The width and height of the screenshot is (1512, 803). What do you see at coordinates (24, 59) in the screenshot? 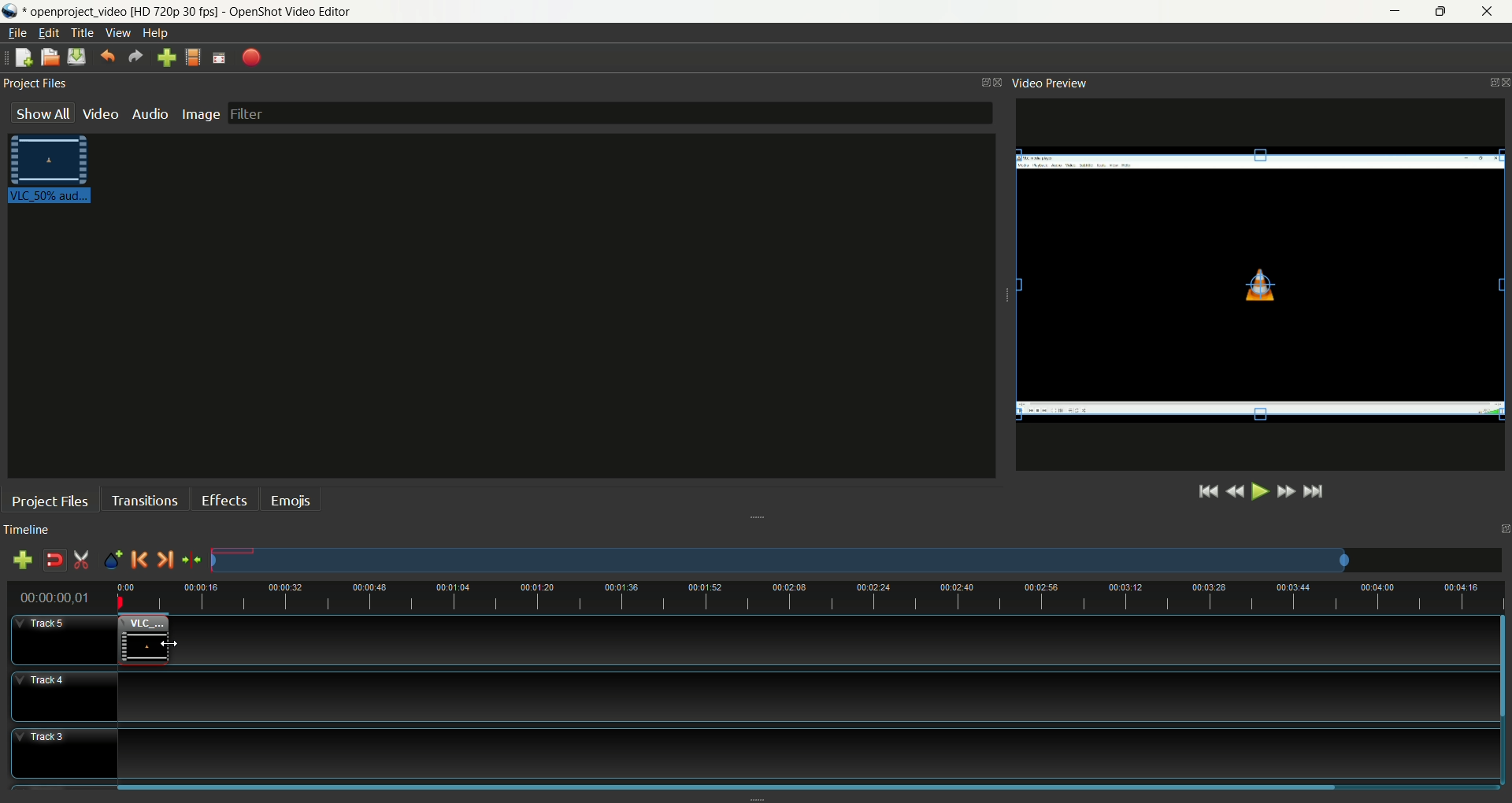
I see `new project` at bounding box center [24, 59].